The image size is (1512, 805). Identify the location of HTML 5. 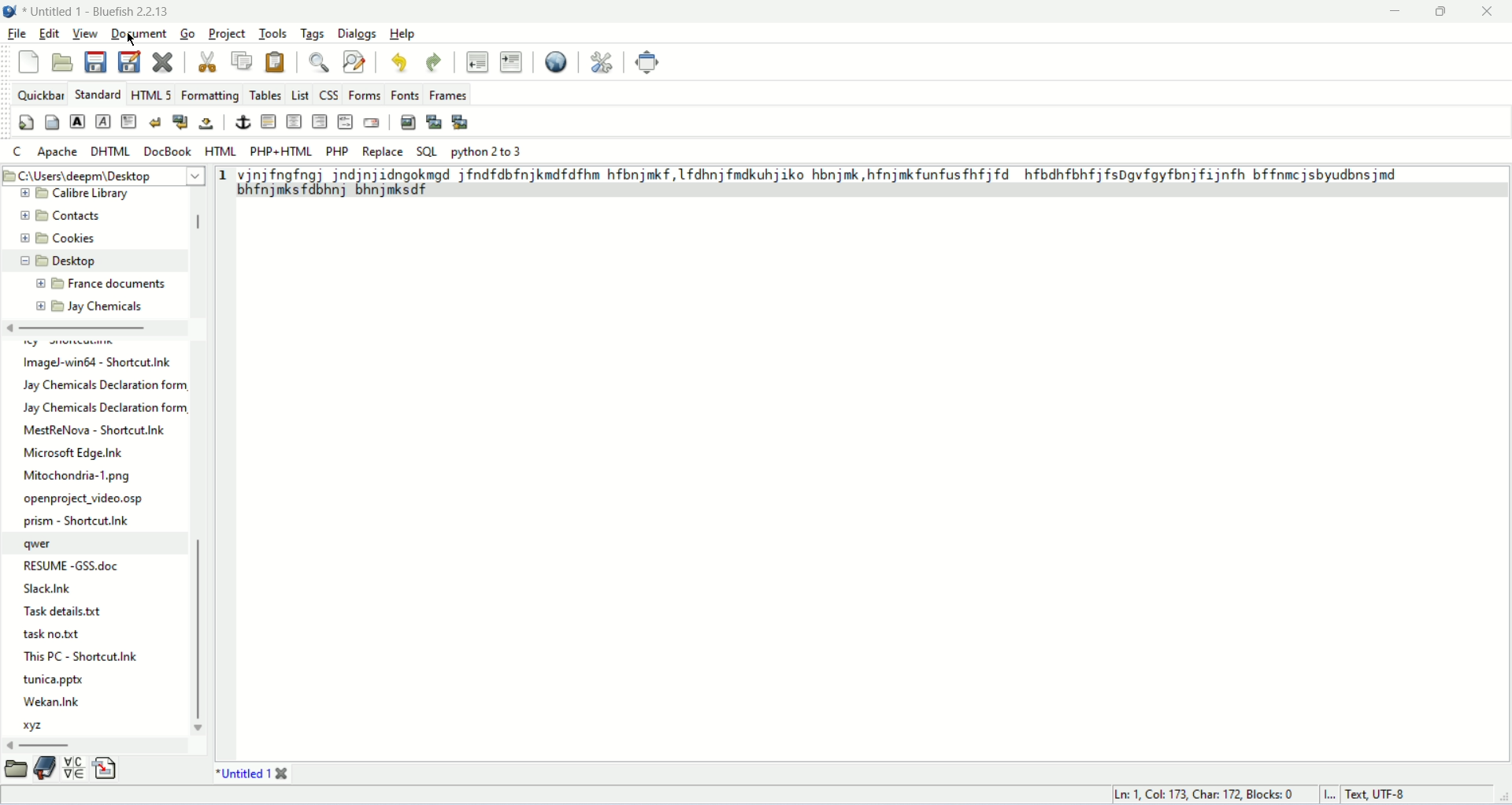
(150, 94).